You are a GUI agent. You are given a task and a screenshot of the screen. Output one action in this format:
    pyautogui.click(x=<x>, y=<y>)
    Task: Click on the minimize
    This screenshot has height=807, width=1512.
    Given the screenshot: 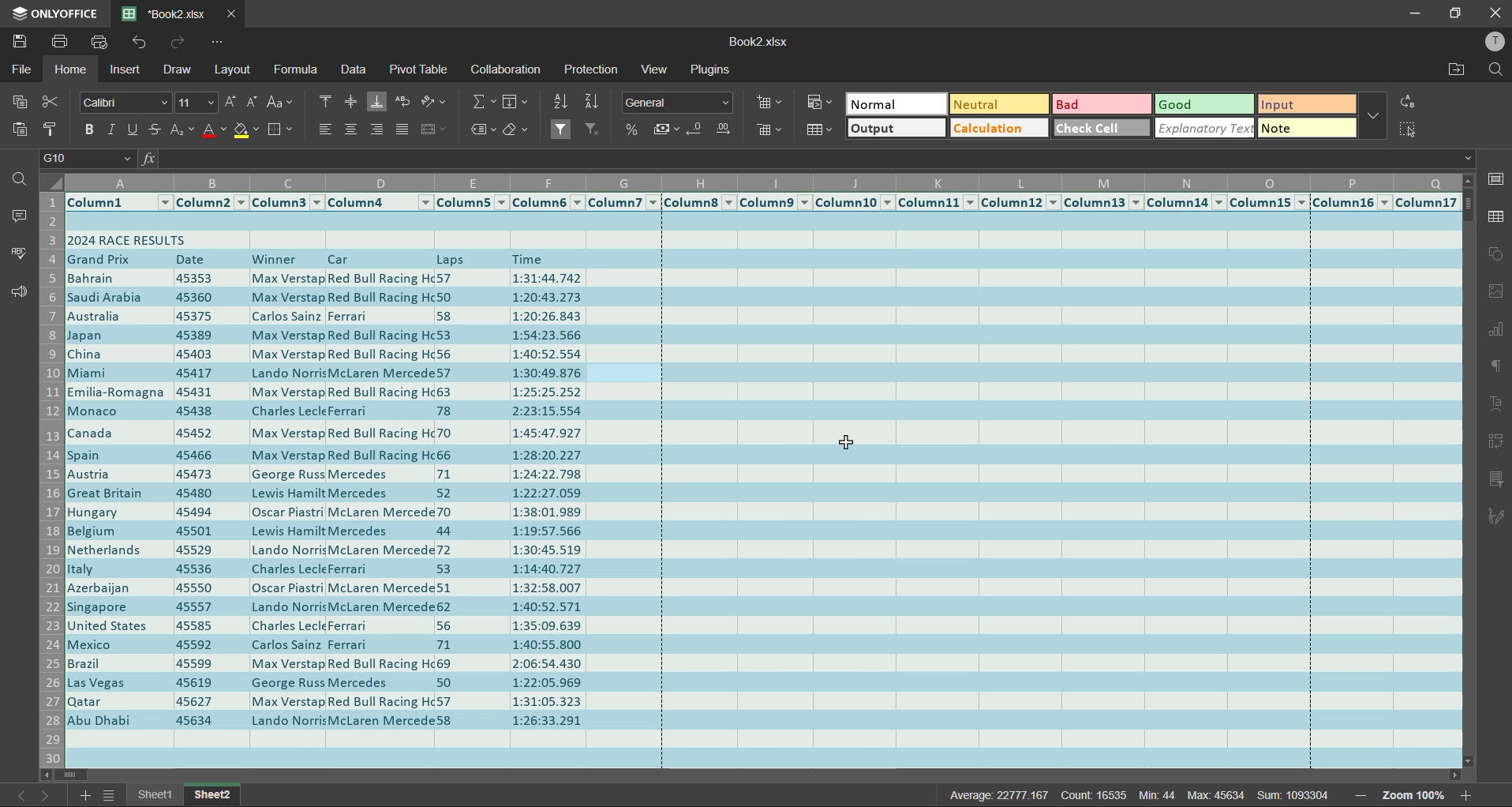 What is the action you would take?
    pyautogui.click(x=1415, y=14)
    